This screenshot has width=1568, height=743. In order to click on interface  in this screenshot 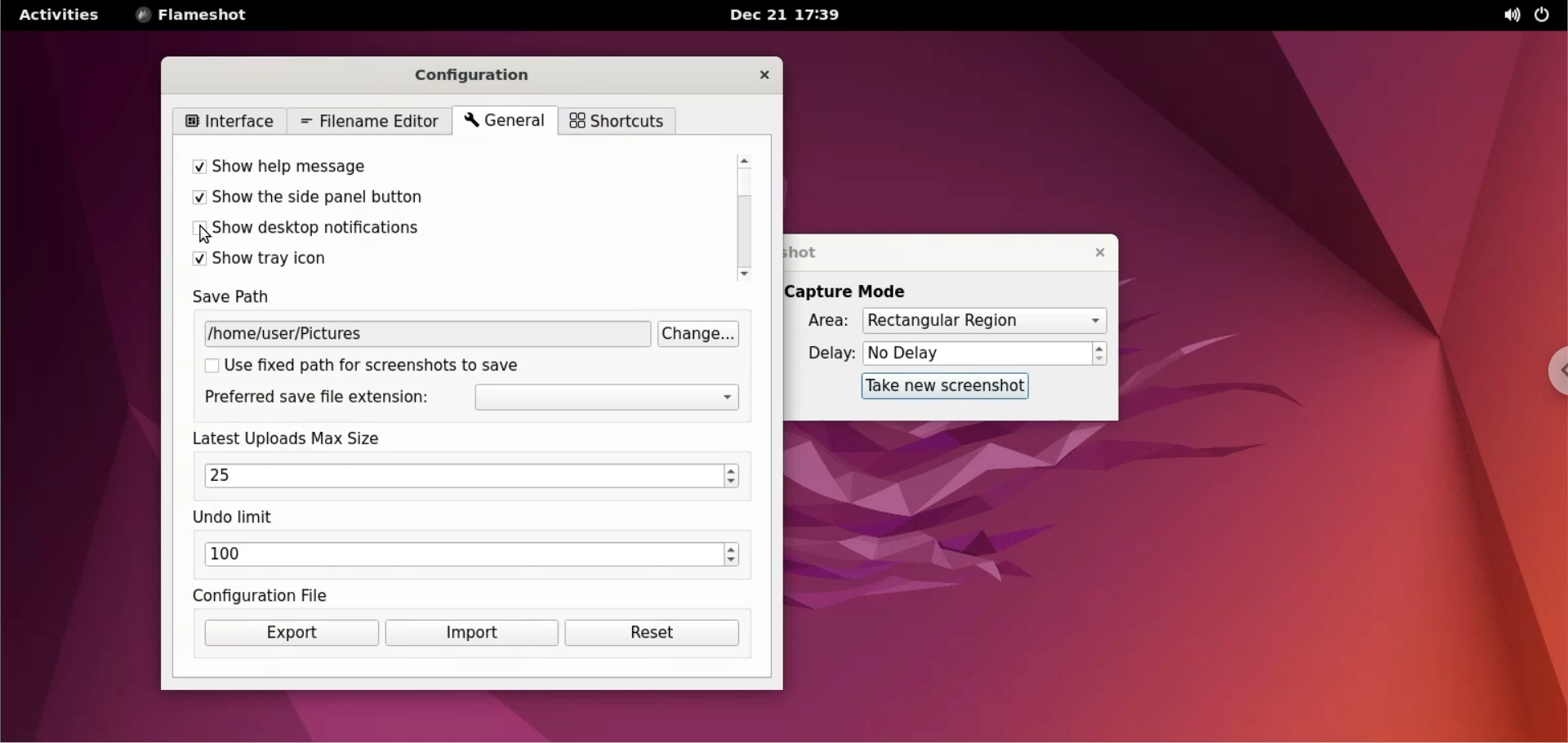, I will do `click(234, 121)`.